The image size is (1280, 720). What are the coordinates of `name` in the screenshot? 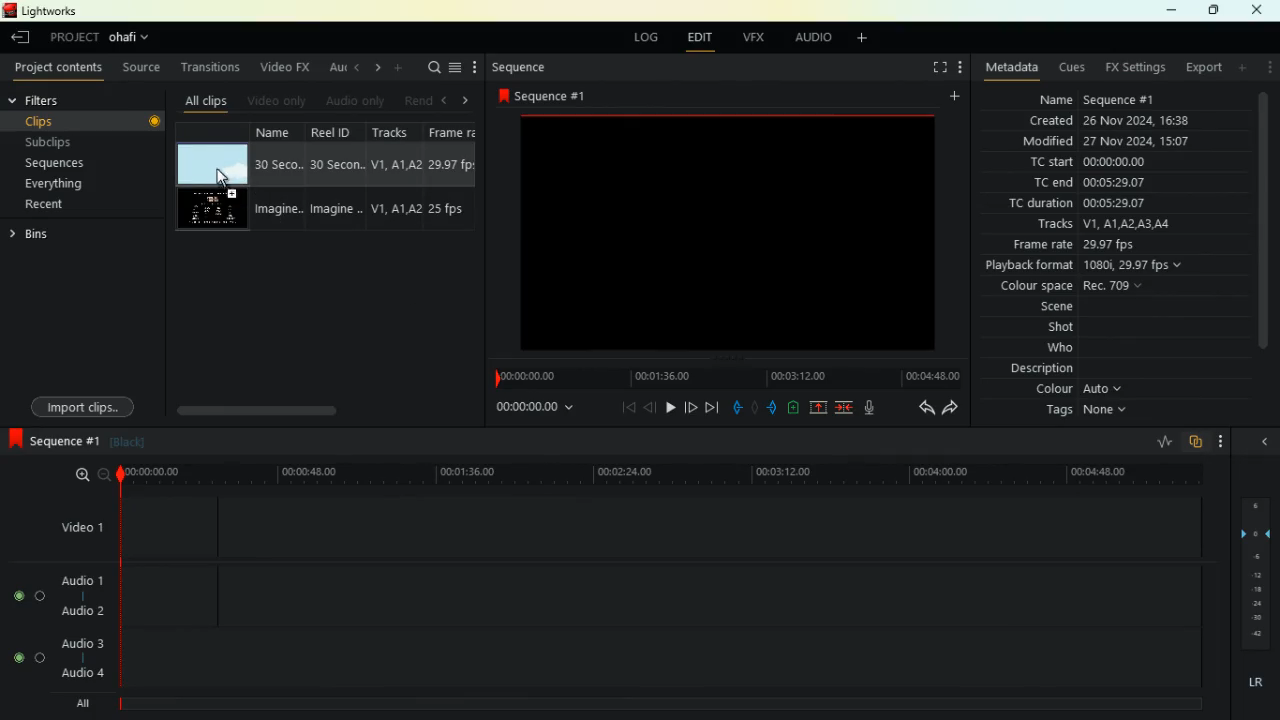 It's located at (279, 131).